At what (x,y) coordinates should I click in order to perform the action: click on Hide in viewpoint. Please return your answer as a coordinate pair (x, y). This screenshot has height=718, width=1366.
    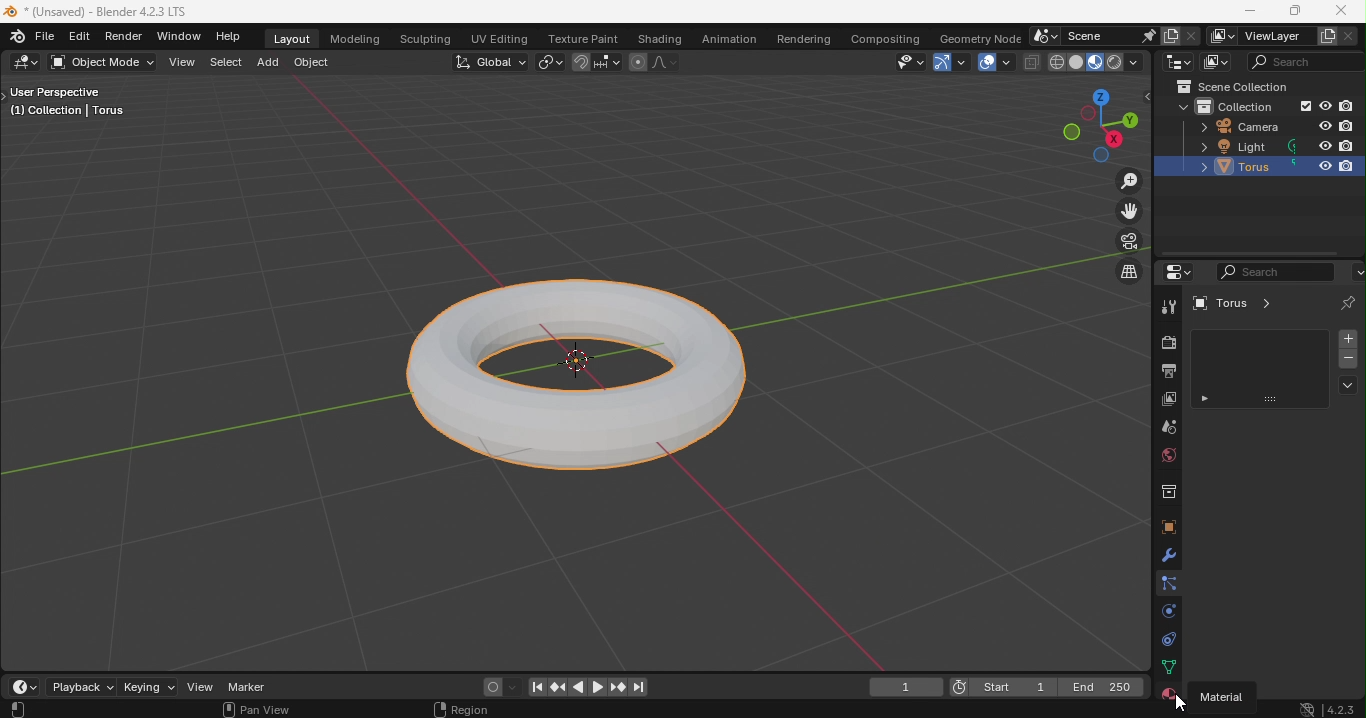
    Looking at the image, I should click on (1325, 147).